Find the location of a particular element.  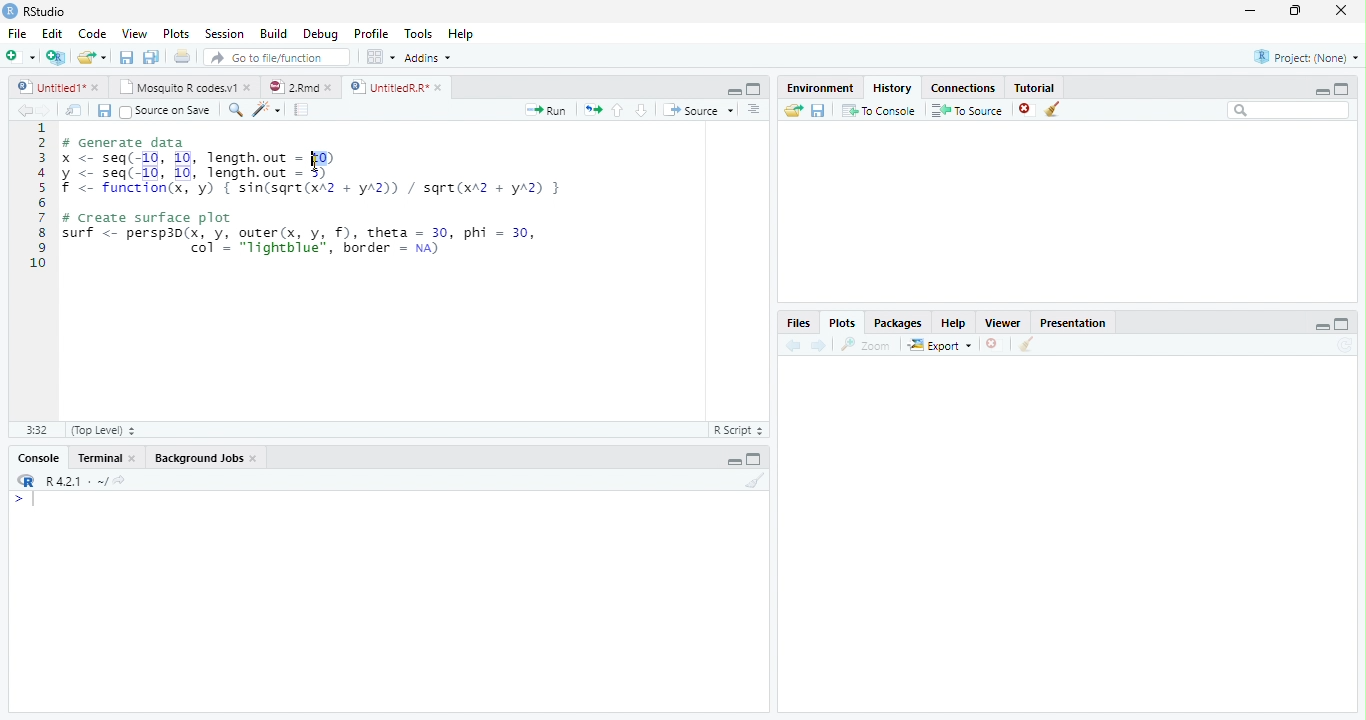

cursor is located at coordinates (318, 164).